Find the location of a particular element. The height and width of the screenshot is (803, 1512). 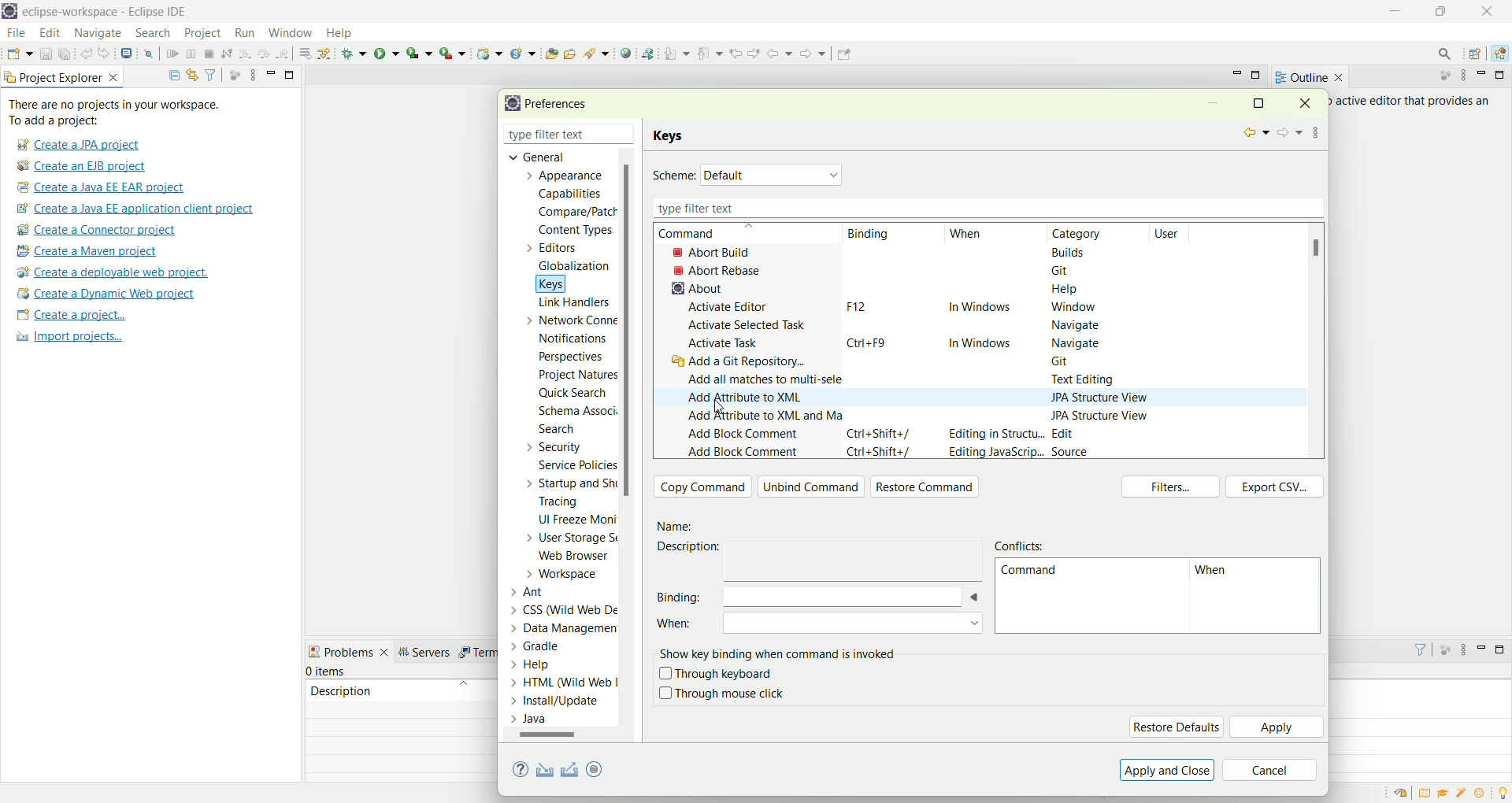

collapse all is located at coordinates (170, 76).